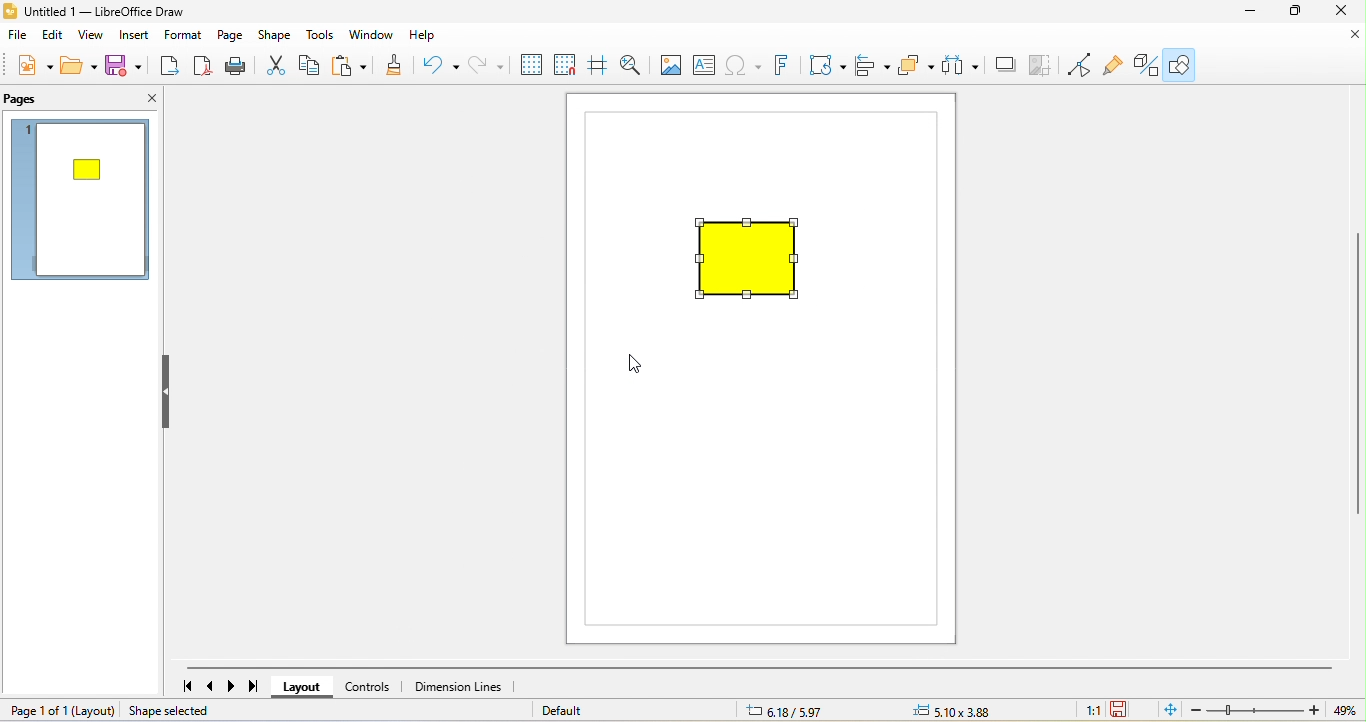  Describe the element at coordinates (1123, 710) in the screenshot. I see `since the last save` at that location.